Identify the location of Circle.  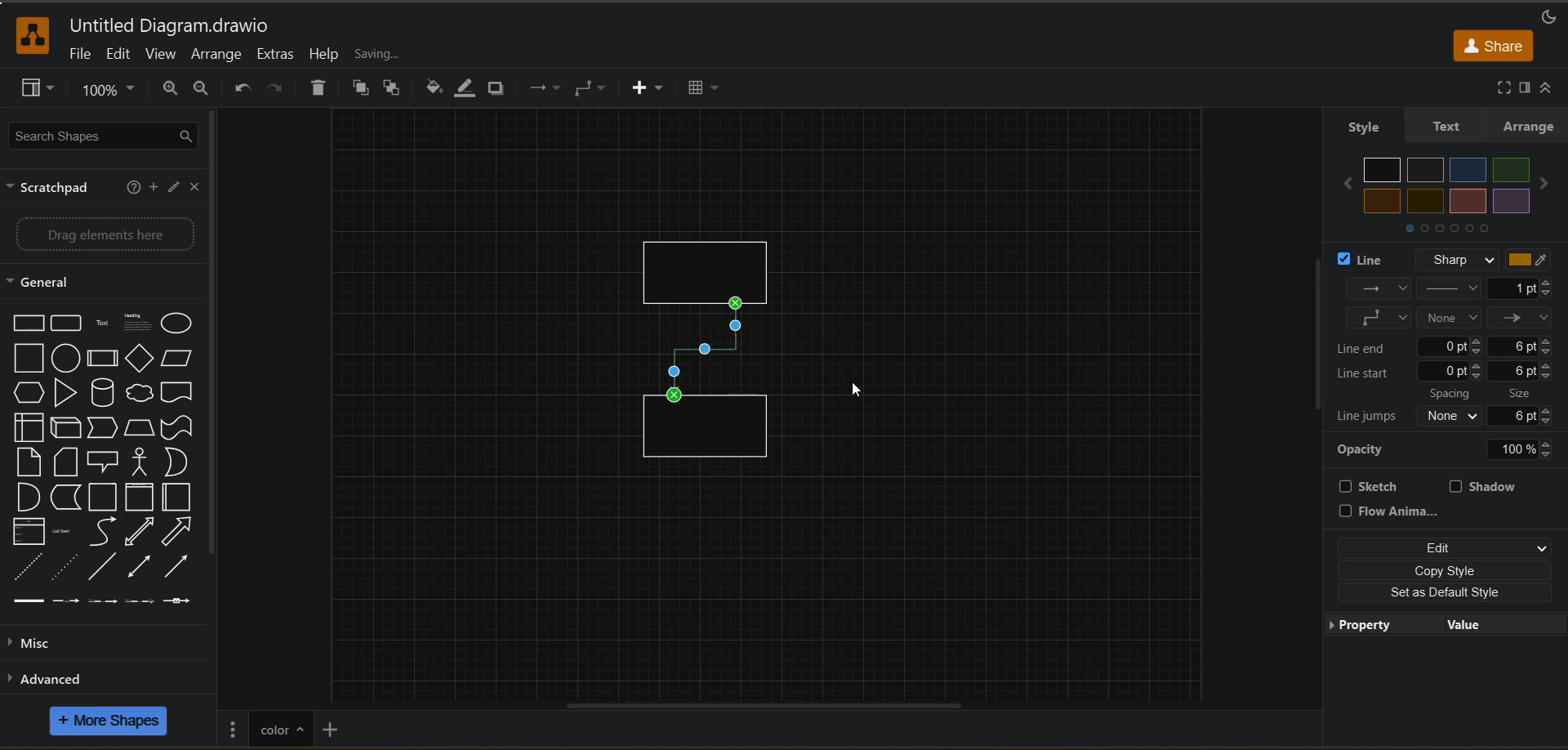
(65, 359).